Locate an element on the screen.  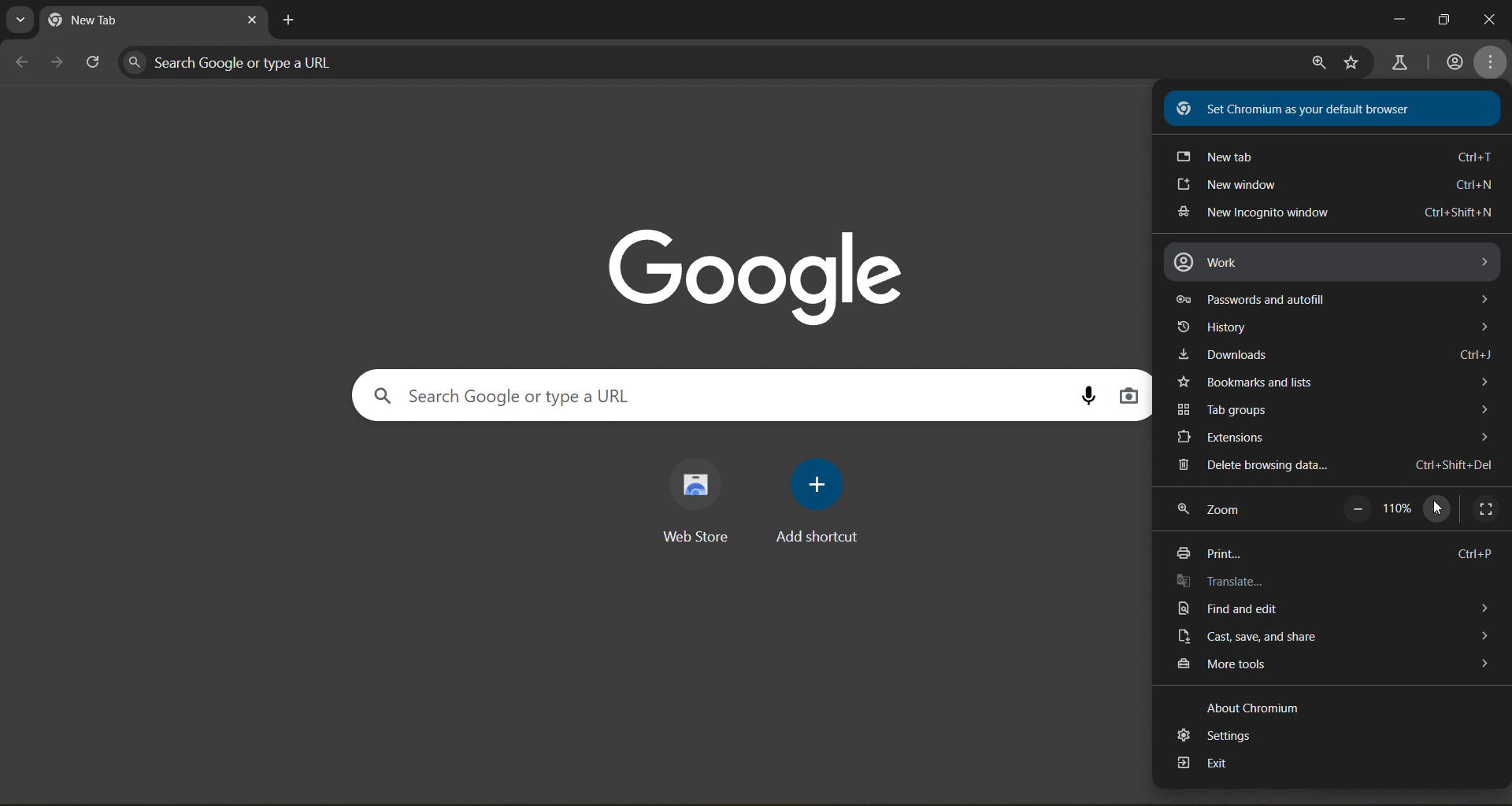
zoom out is located at coordinates (1355, 509).